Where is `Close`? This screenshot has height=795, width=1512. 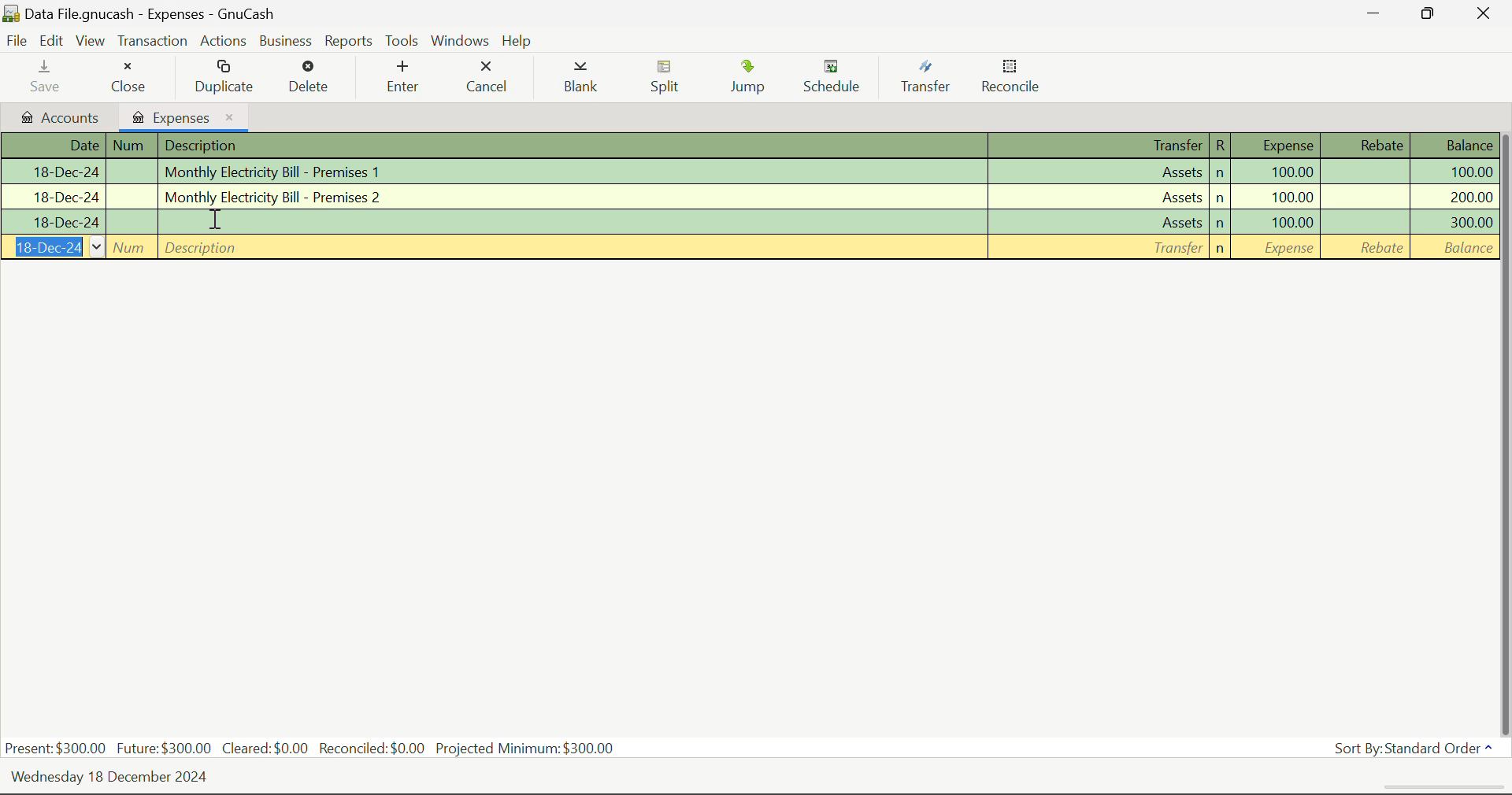
Close is located at coordinates (128, 79).